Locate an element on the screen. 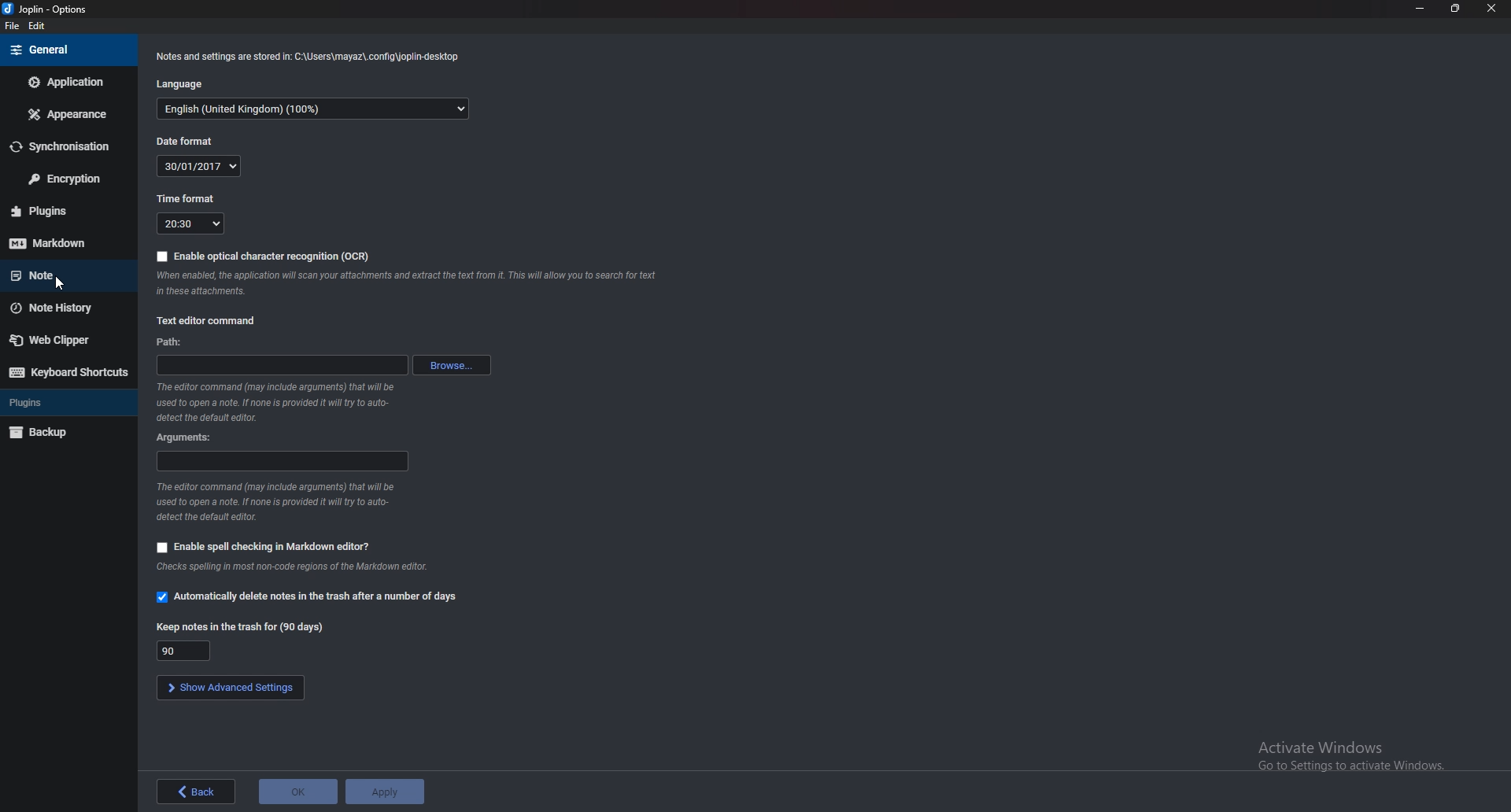  Keep notes in trash for is located at coordinates (182, 651).